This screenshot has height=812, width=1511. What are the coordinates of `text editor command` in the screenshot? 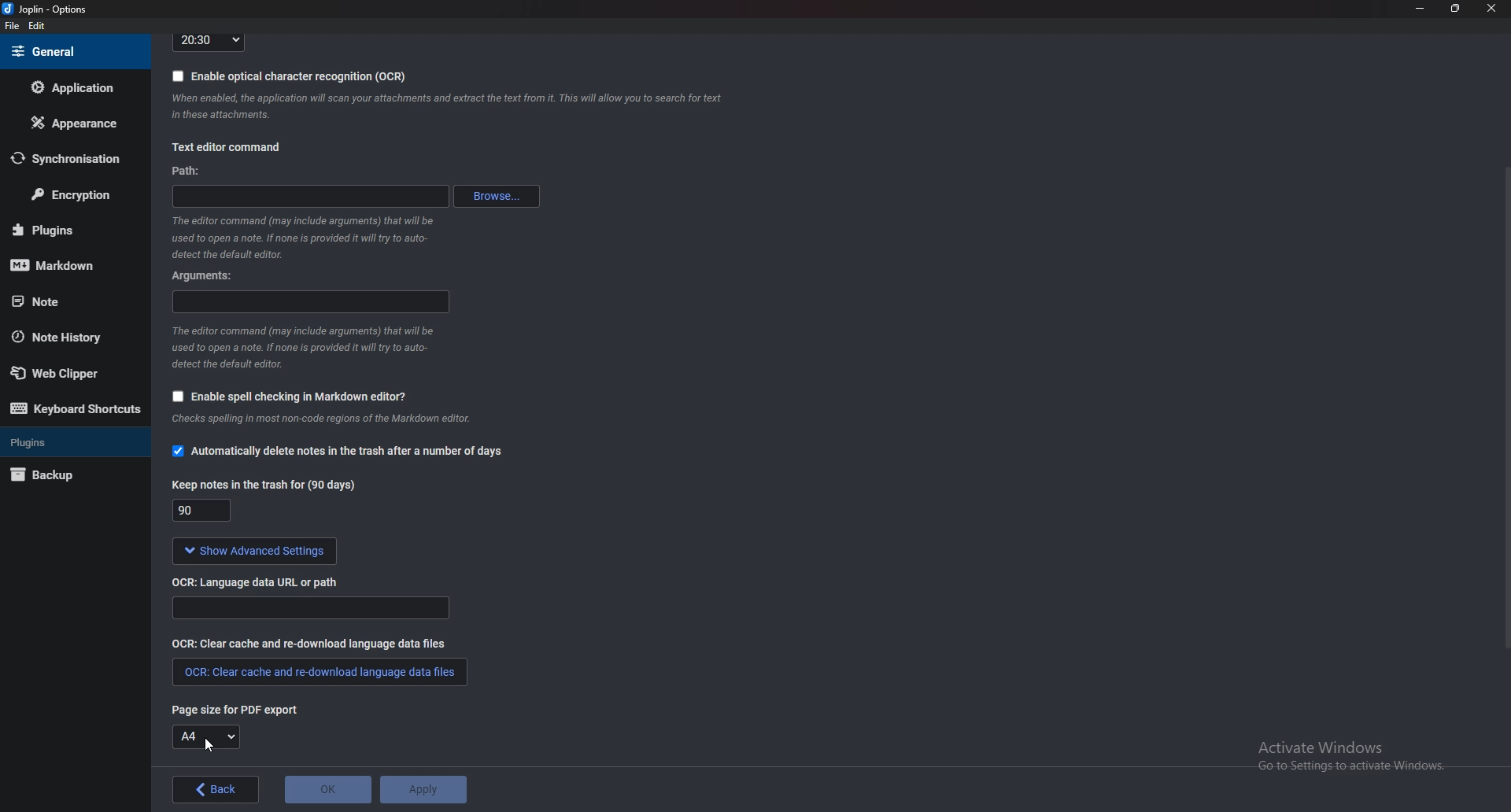 It's located at (226, 149).